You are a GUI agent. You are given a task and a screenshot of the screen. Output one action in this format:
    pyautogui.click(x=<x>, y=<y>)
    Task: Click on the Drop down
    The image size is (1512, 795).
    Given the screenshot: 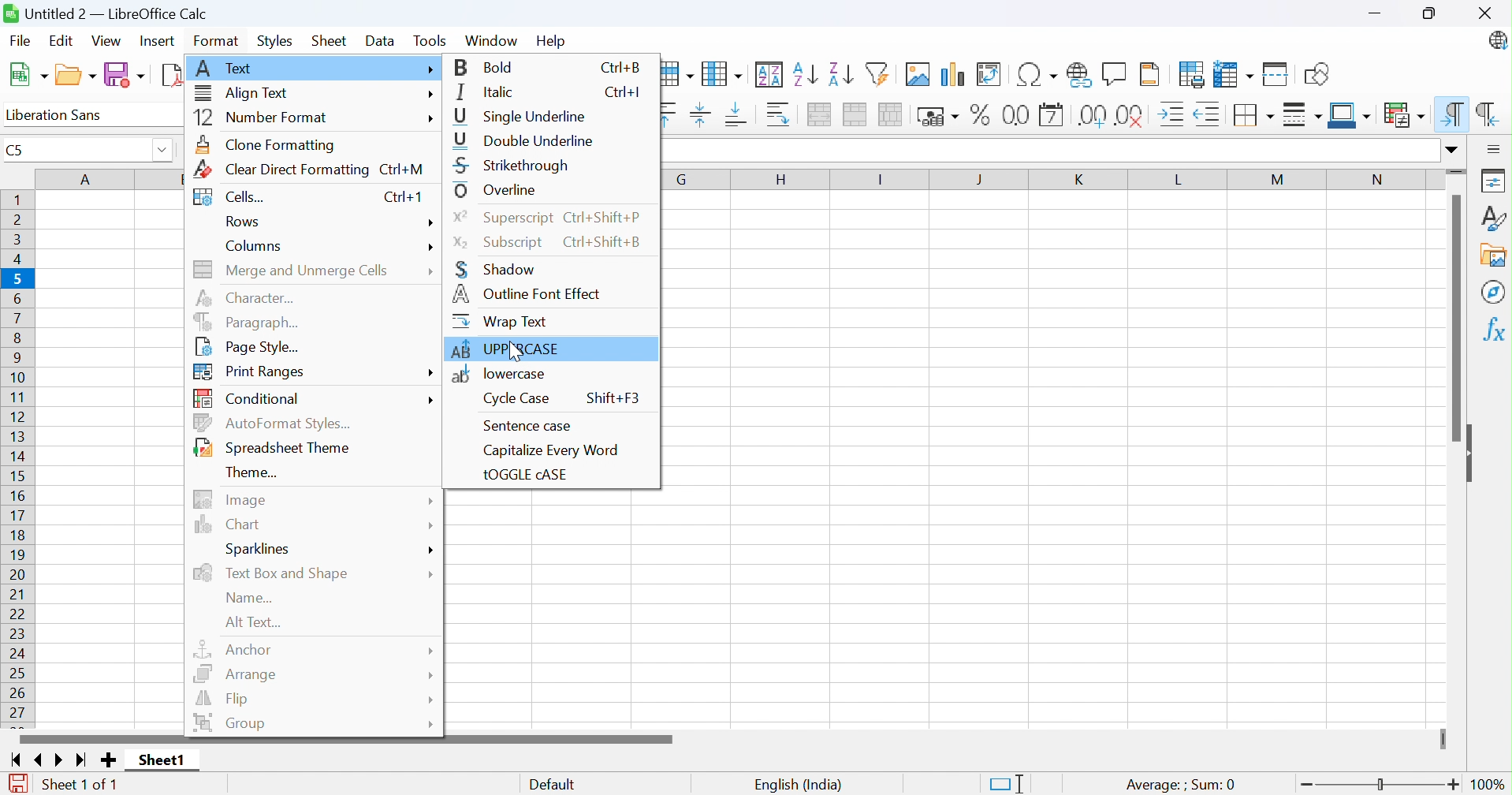 What is the action you would take?
    pyautogui.click(x=166, y=151)
    